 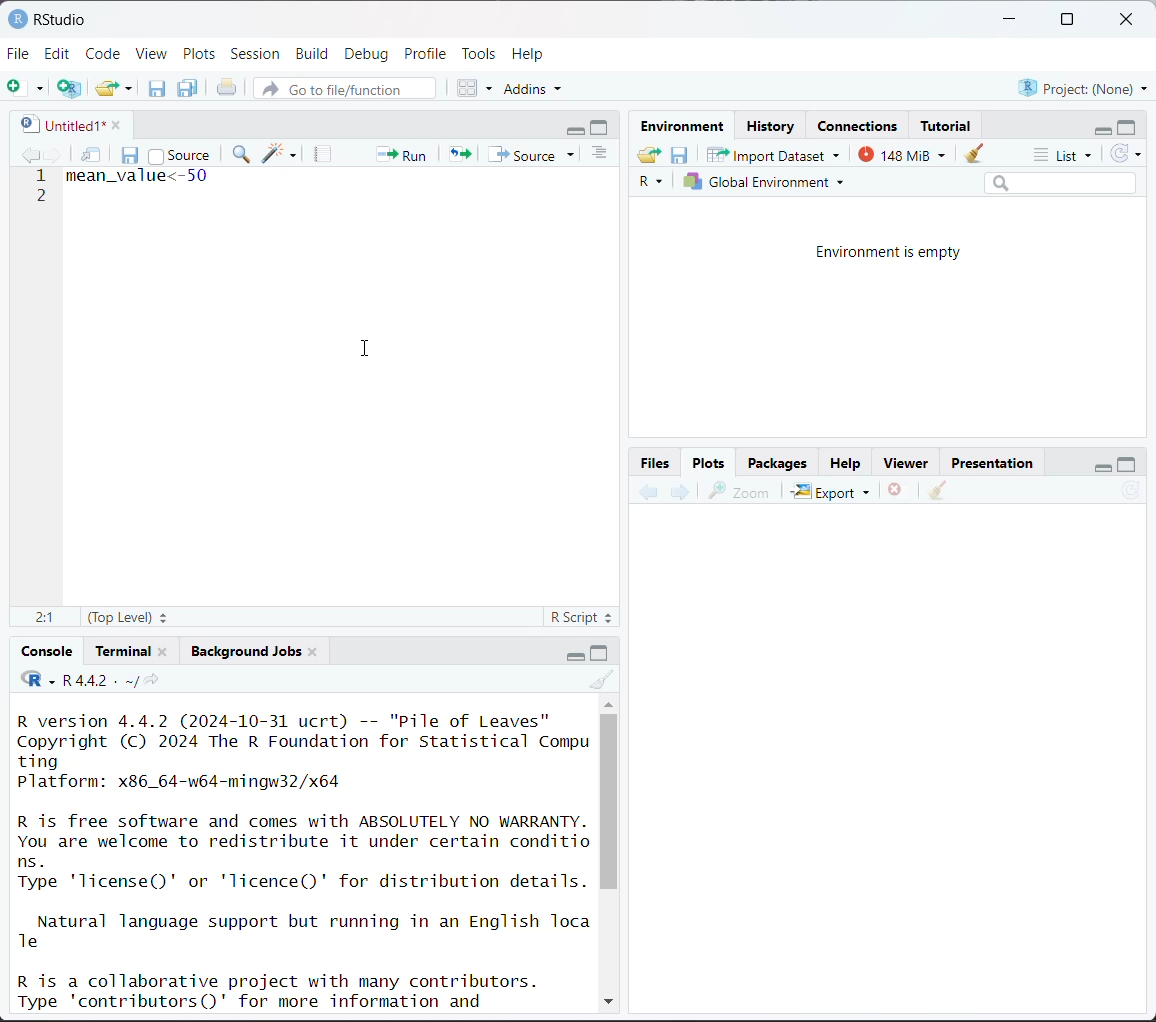 I want to click on up, so click(x=608, y=702).